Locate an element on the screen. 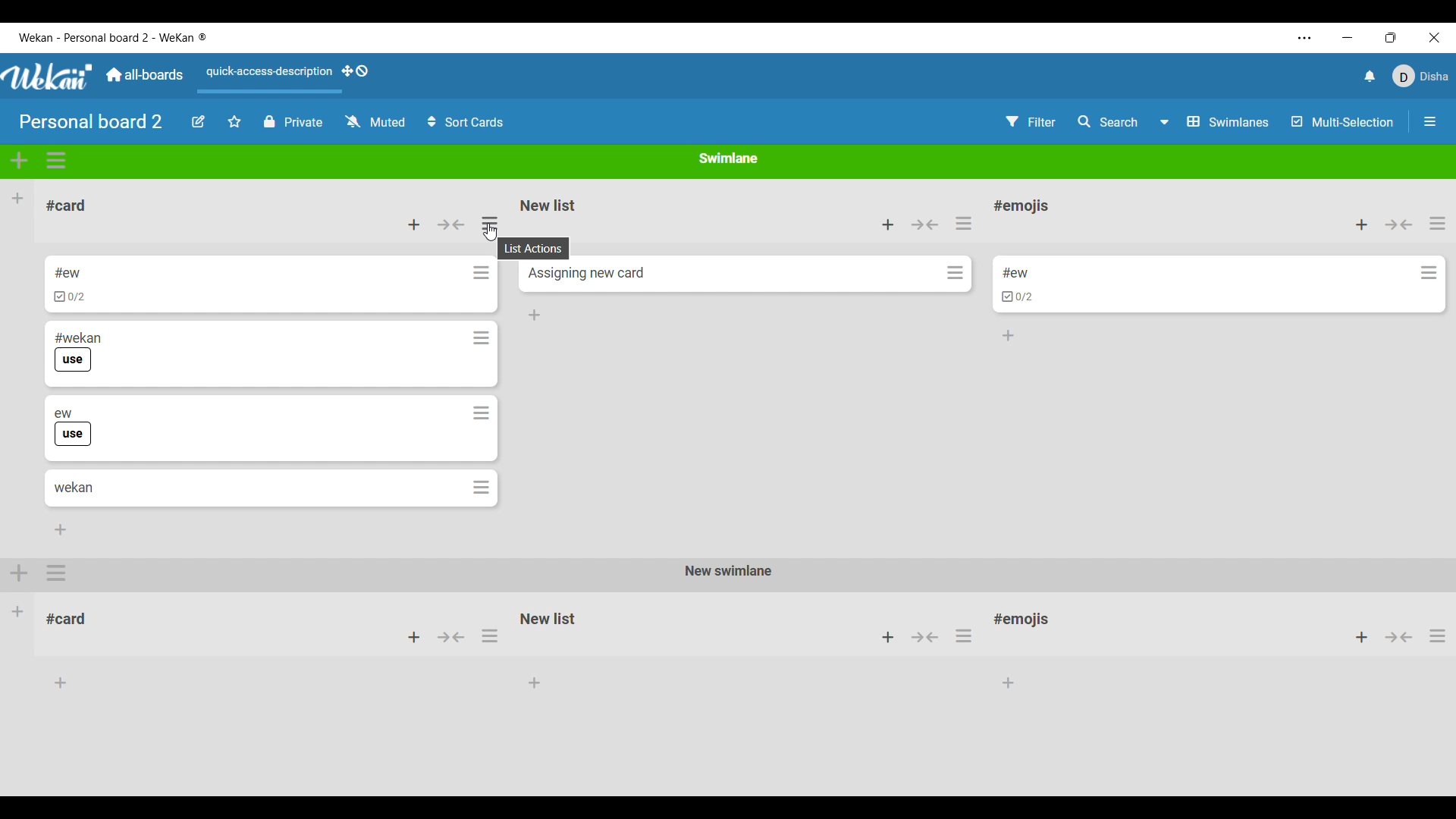 Image resolution: width=1456 pixels, height=819 pixels. Swimlane actions is located at coordinates (56, 161).